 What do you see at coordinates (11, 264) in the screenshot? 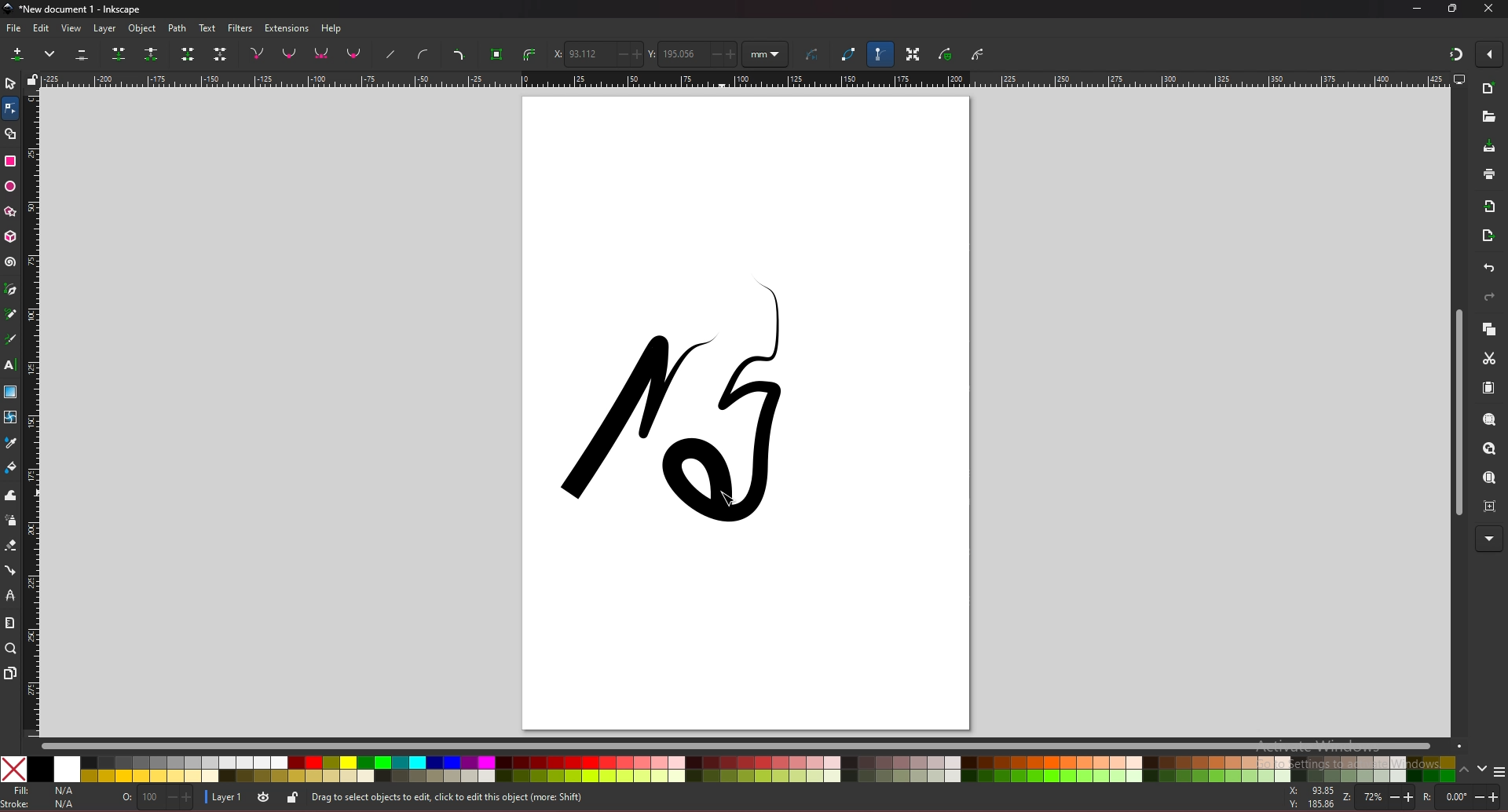
I see `spiral` at bounding box center [11, 264].